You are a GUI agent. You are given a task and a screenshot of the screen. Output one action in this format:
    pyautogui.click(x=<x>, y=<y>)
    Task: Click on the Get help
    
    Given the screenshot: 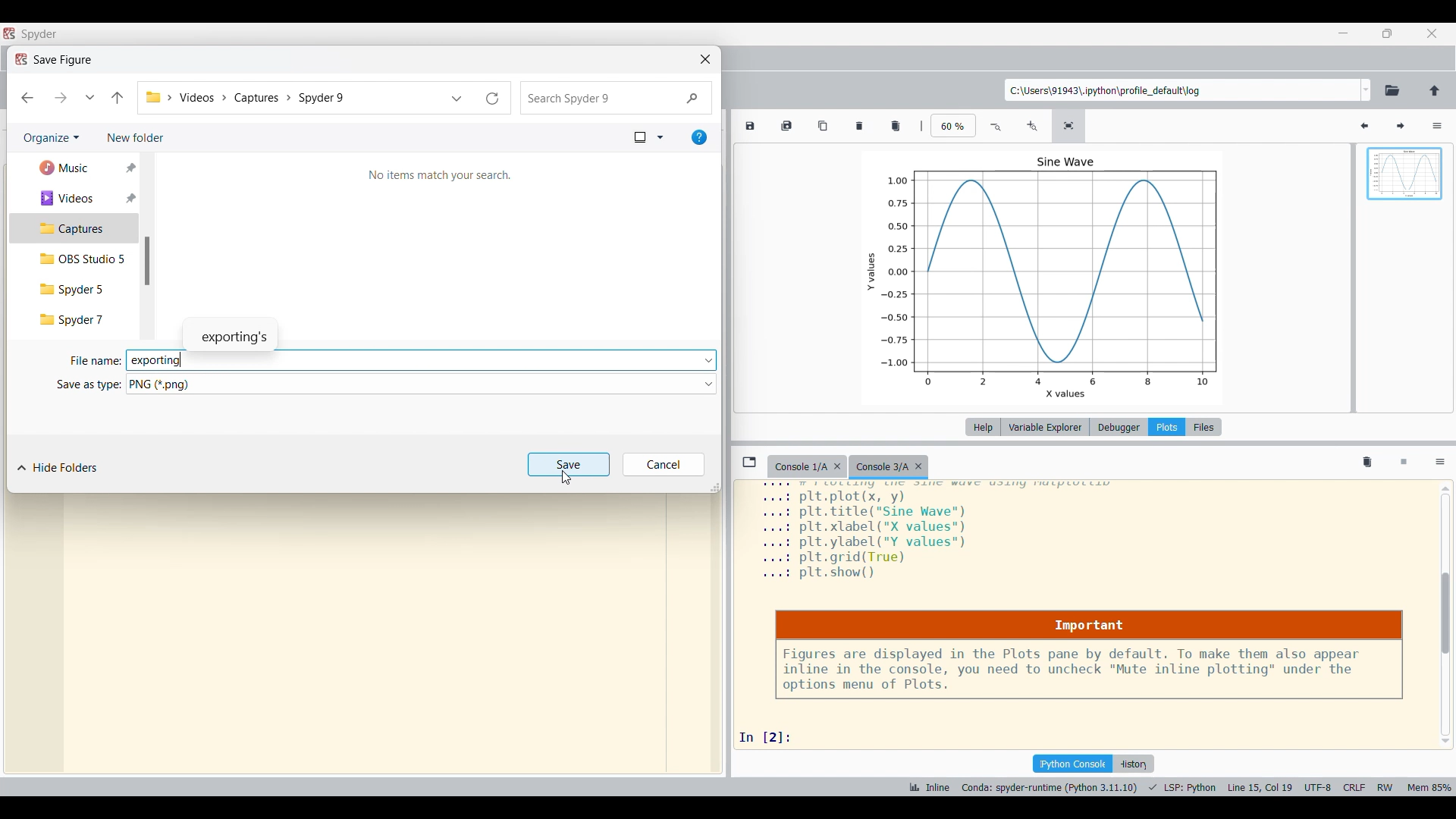 What is the action you would take?
    pyautogui.click(x=699, y=138)
    